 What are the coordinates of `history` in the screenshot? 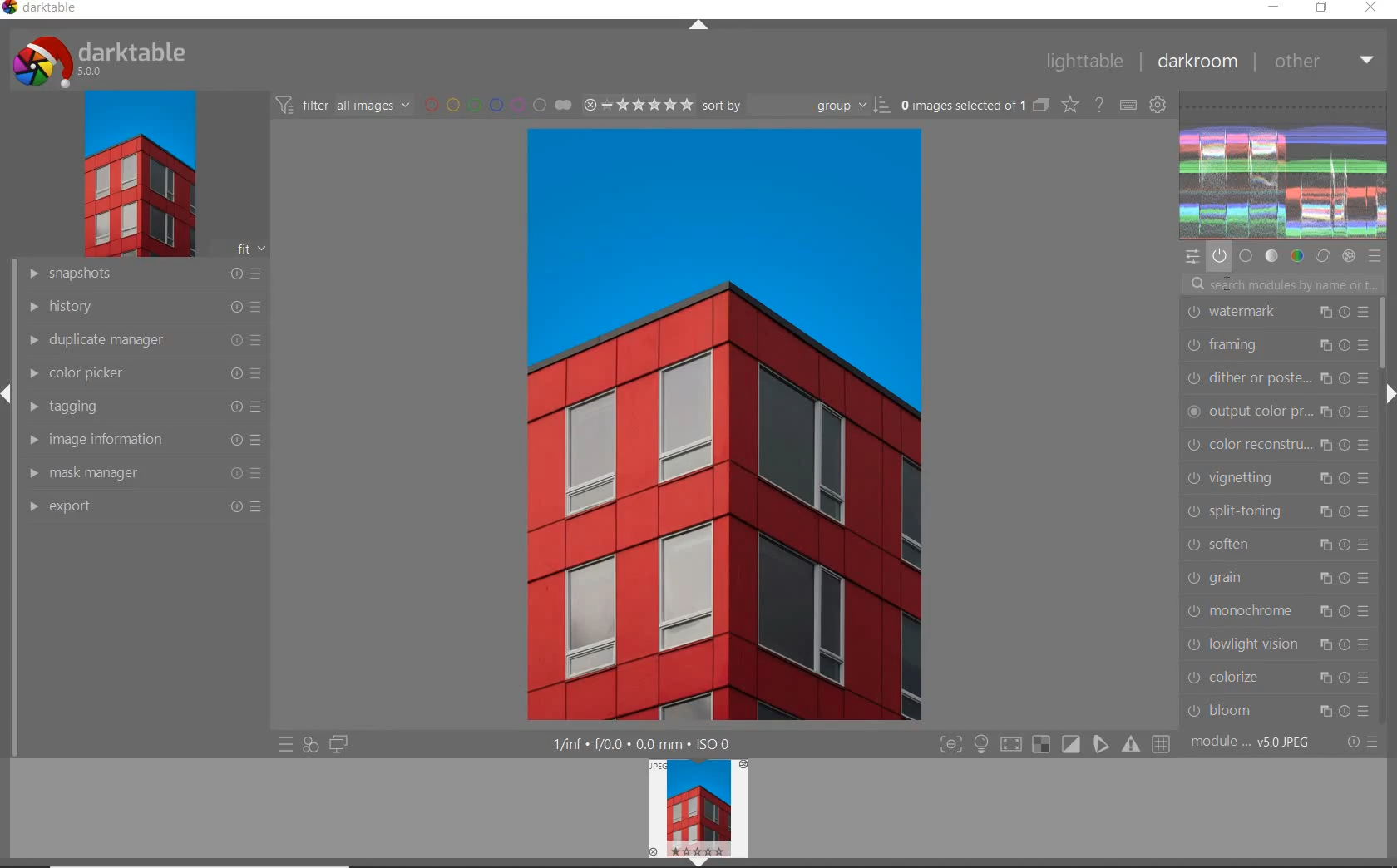 It's located at (143, 306).